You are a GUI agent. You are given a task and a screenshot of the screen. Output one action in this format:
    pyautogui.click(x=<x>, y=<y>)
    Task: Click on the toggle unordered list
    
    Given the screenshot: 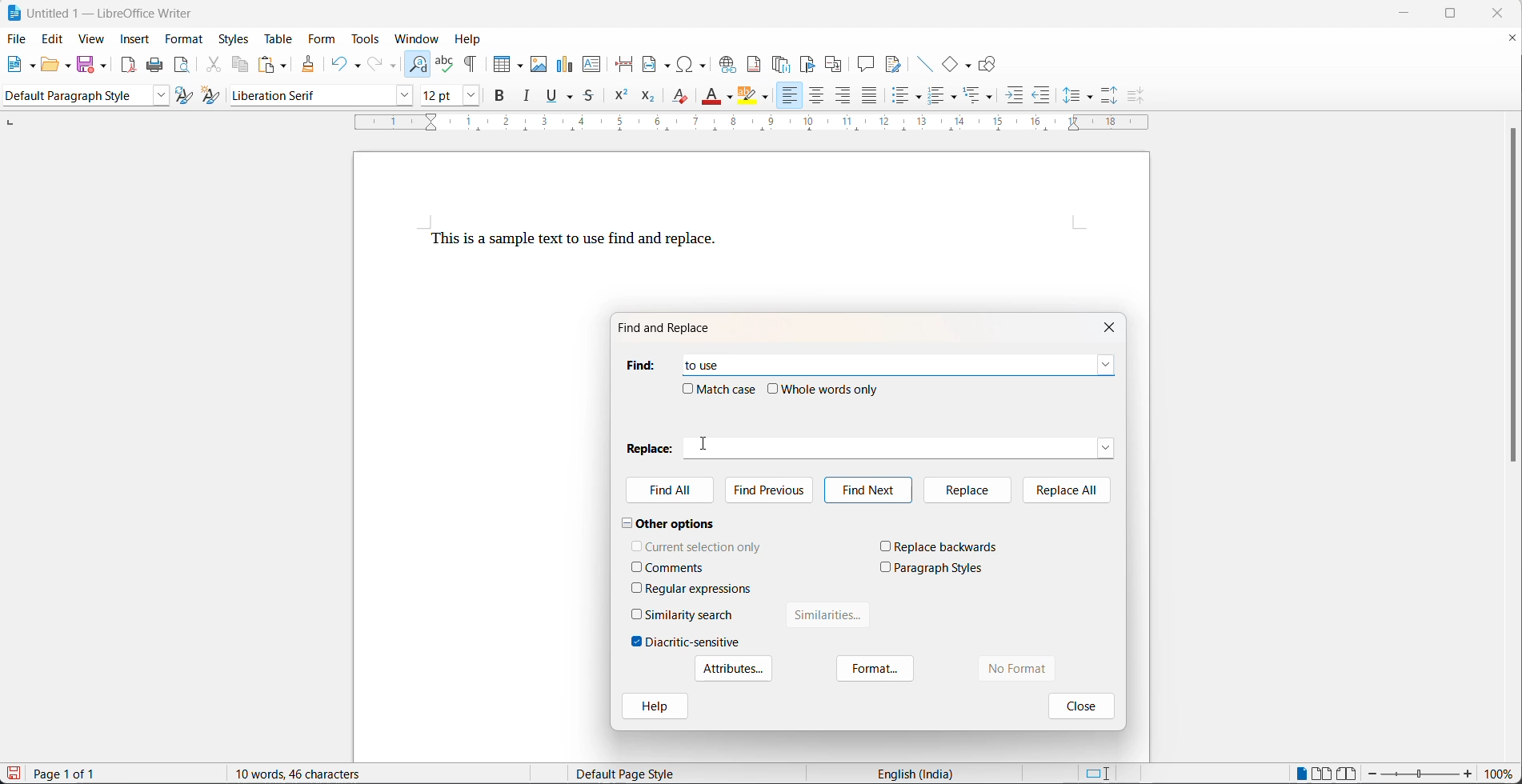 What is the action you would take?
    pyautogui.click(x=904, y=98)
    